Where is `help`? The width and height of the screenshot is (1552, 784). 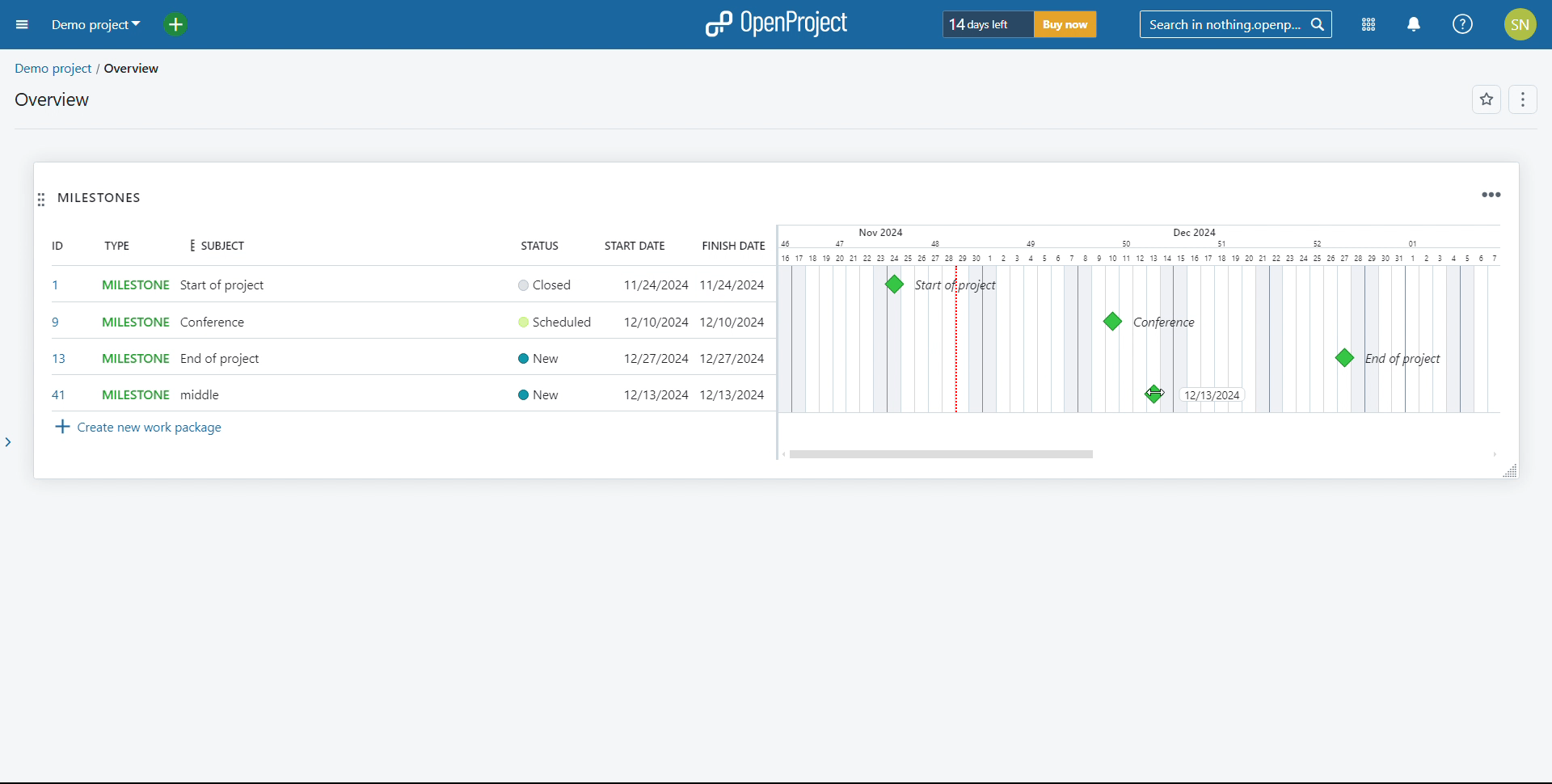 help is located at coordinates (1463, 24).